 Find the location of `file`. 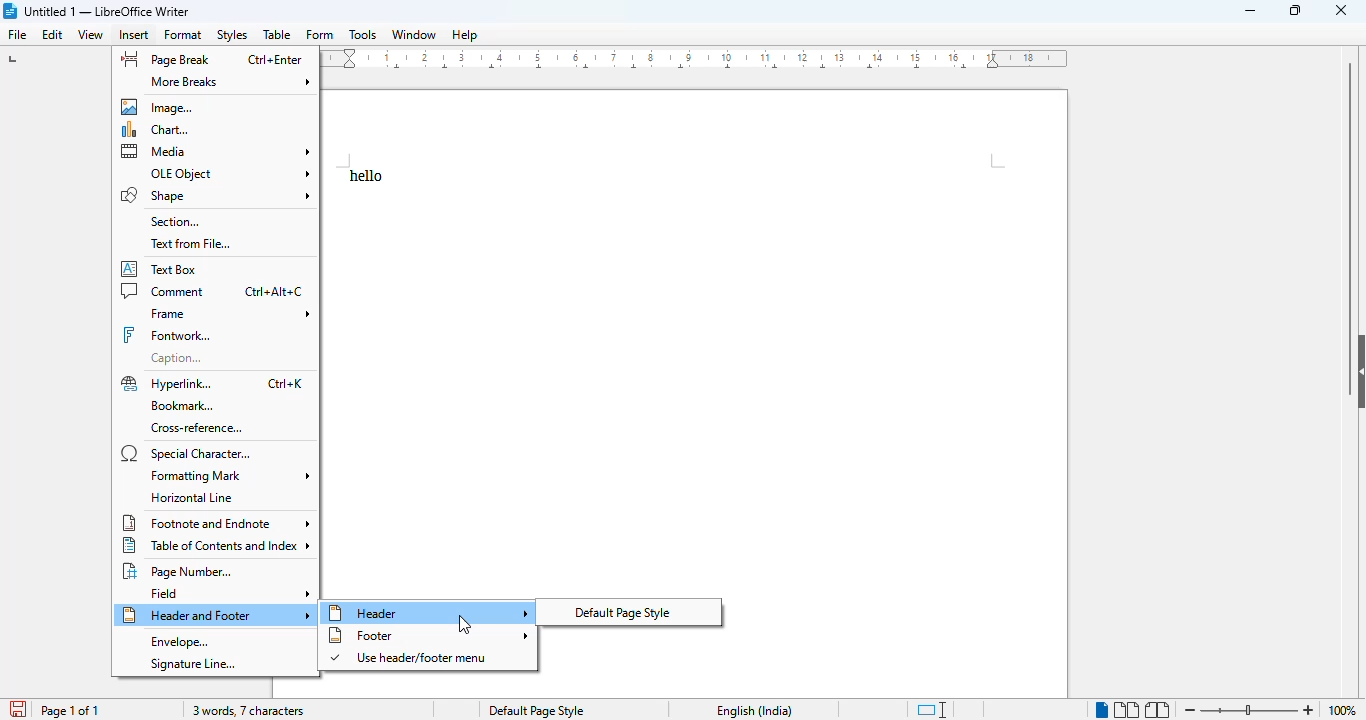

file is located at coordinates (16, 34).